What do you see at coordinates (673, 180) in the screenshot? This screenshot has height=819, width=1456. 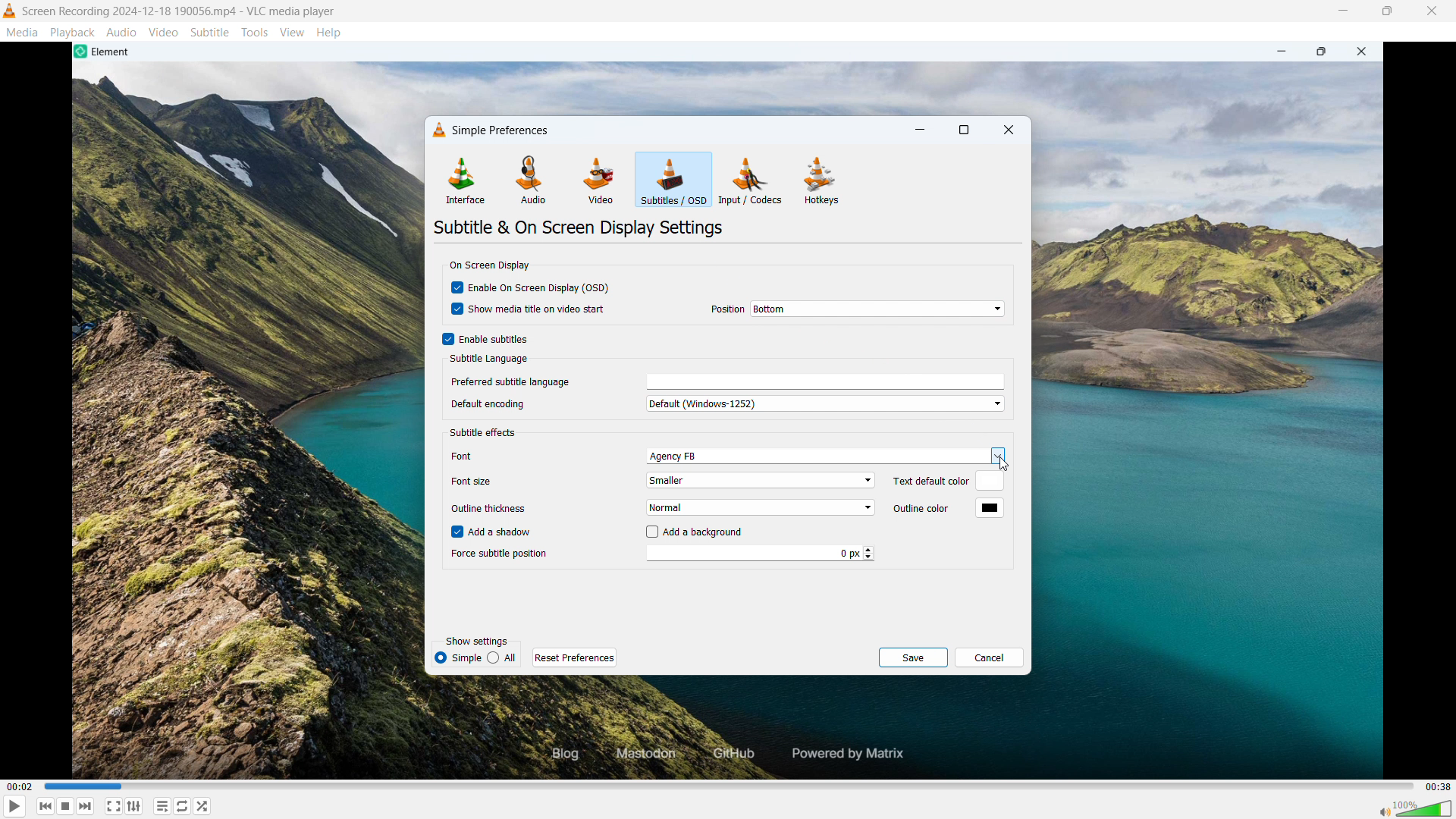 I see `subtitles/OSD` at bounding box center [673, 180].